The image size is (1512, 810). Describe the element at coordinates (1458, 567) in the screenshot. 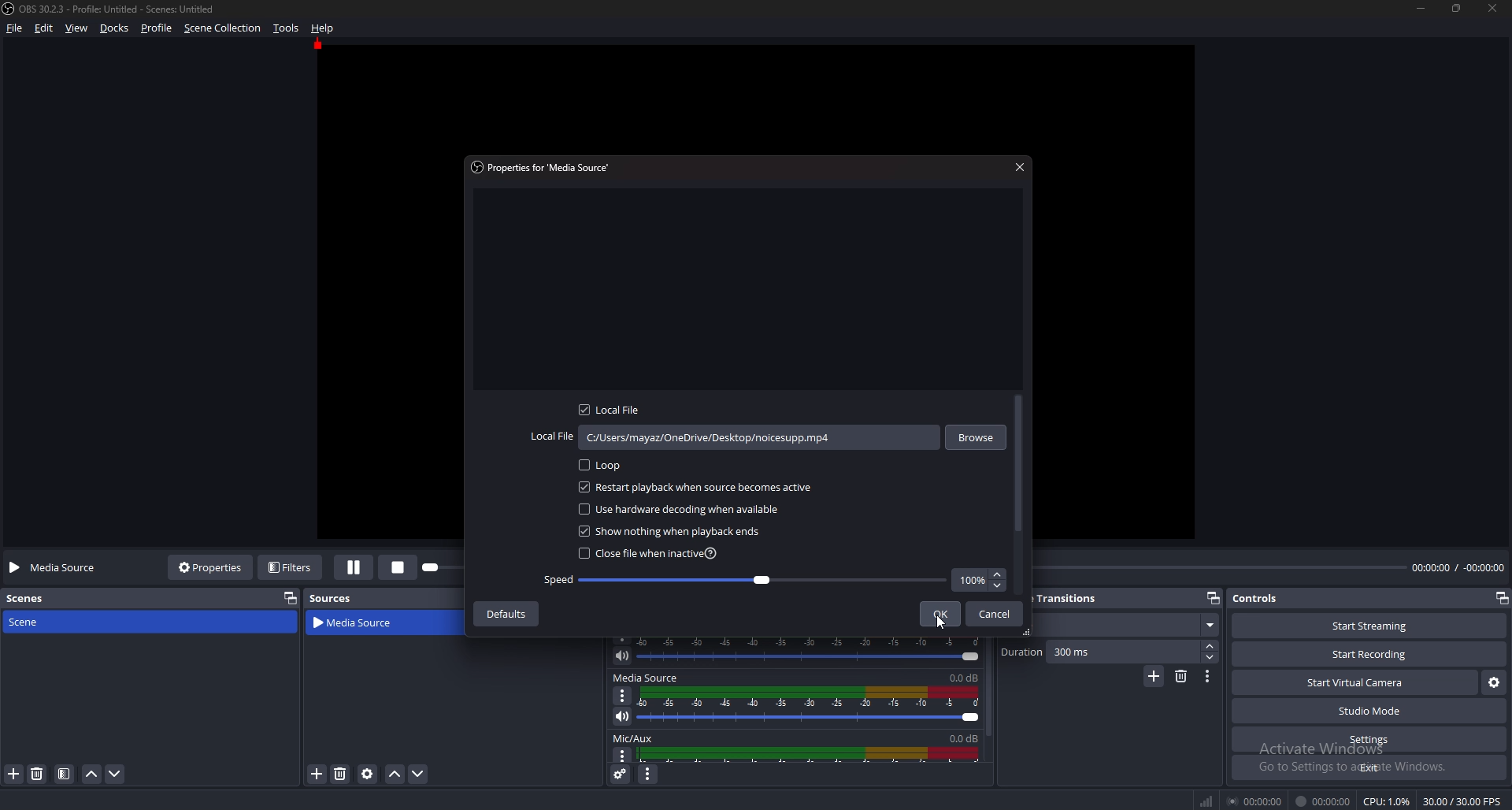

I see `00:00:00 / -00:00:00` at that location.